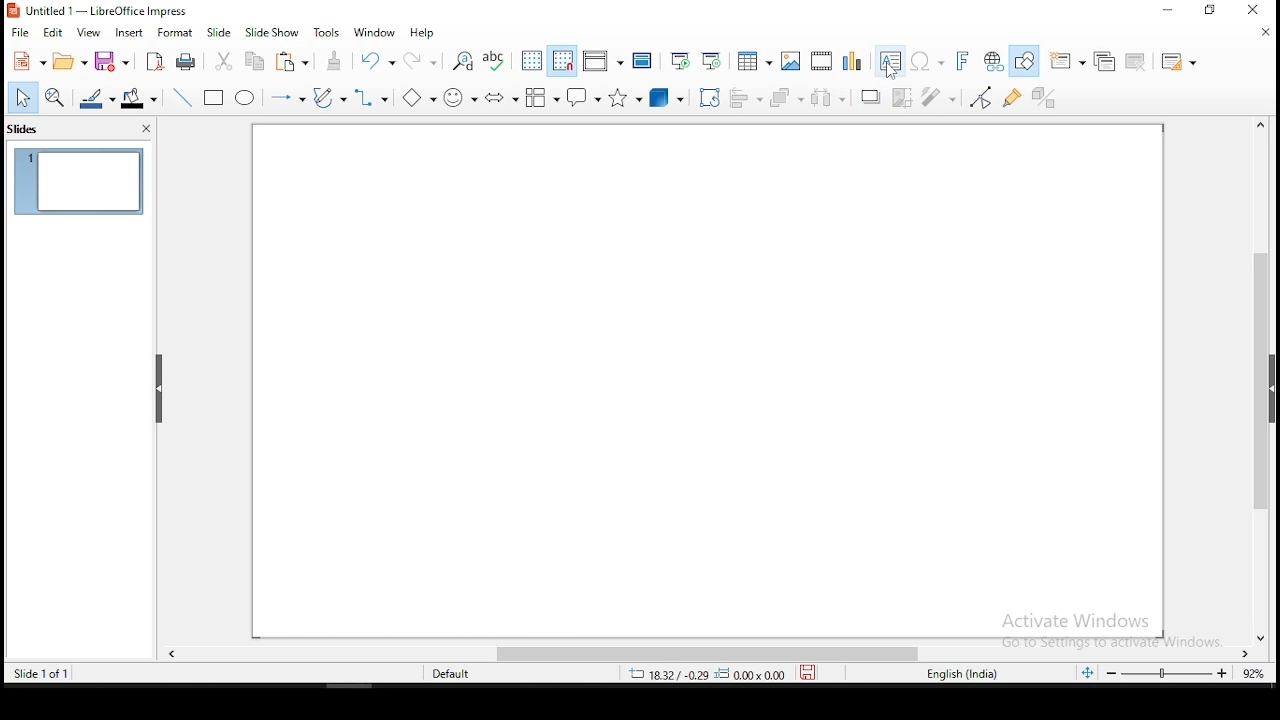 Image resolution: width=1280 pixels, height=720 pixels. I want to click on print, so click(186, 63).